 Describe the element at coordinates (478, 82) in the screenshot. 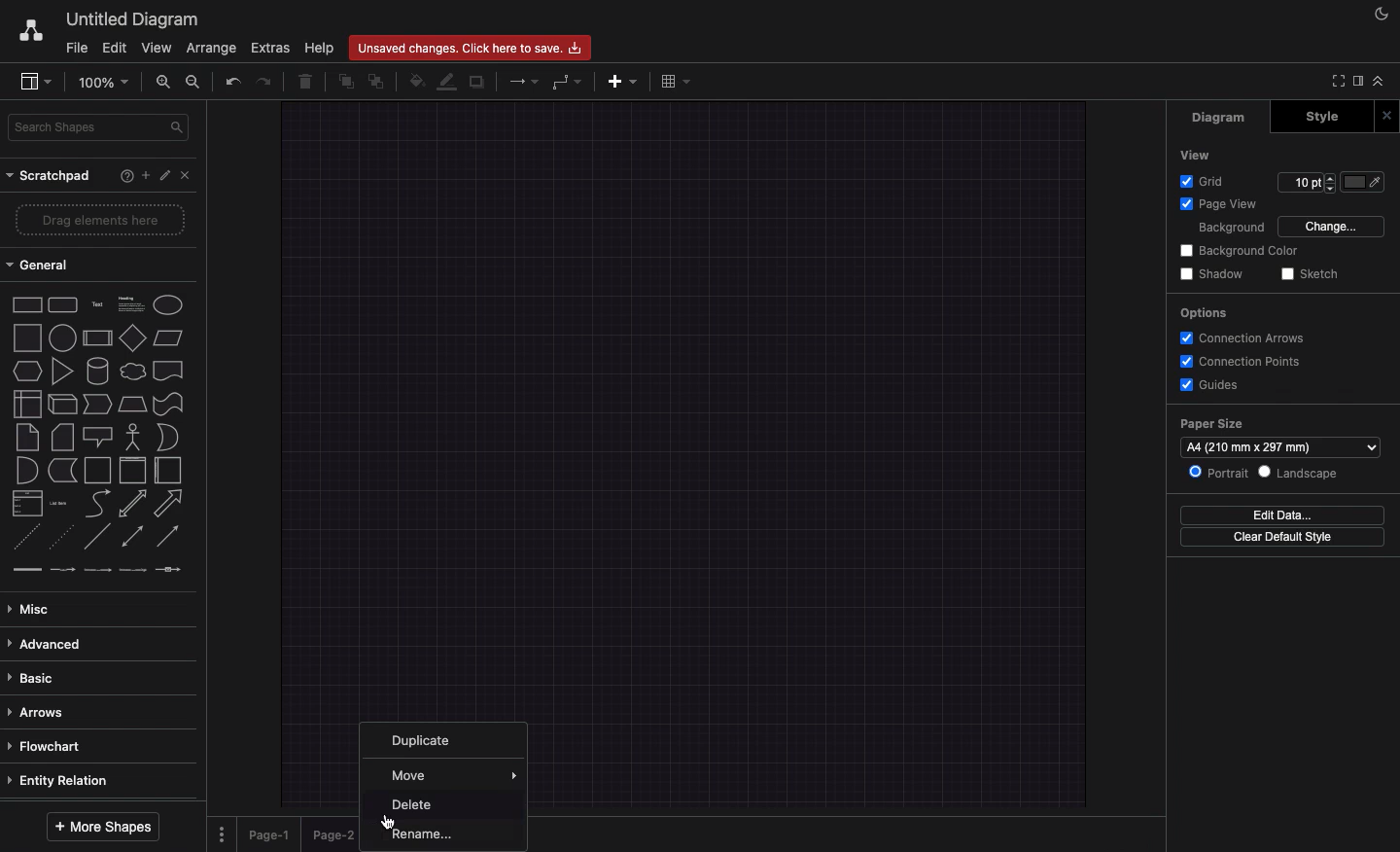

I see `Duplicate` at that location.